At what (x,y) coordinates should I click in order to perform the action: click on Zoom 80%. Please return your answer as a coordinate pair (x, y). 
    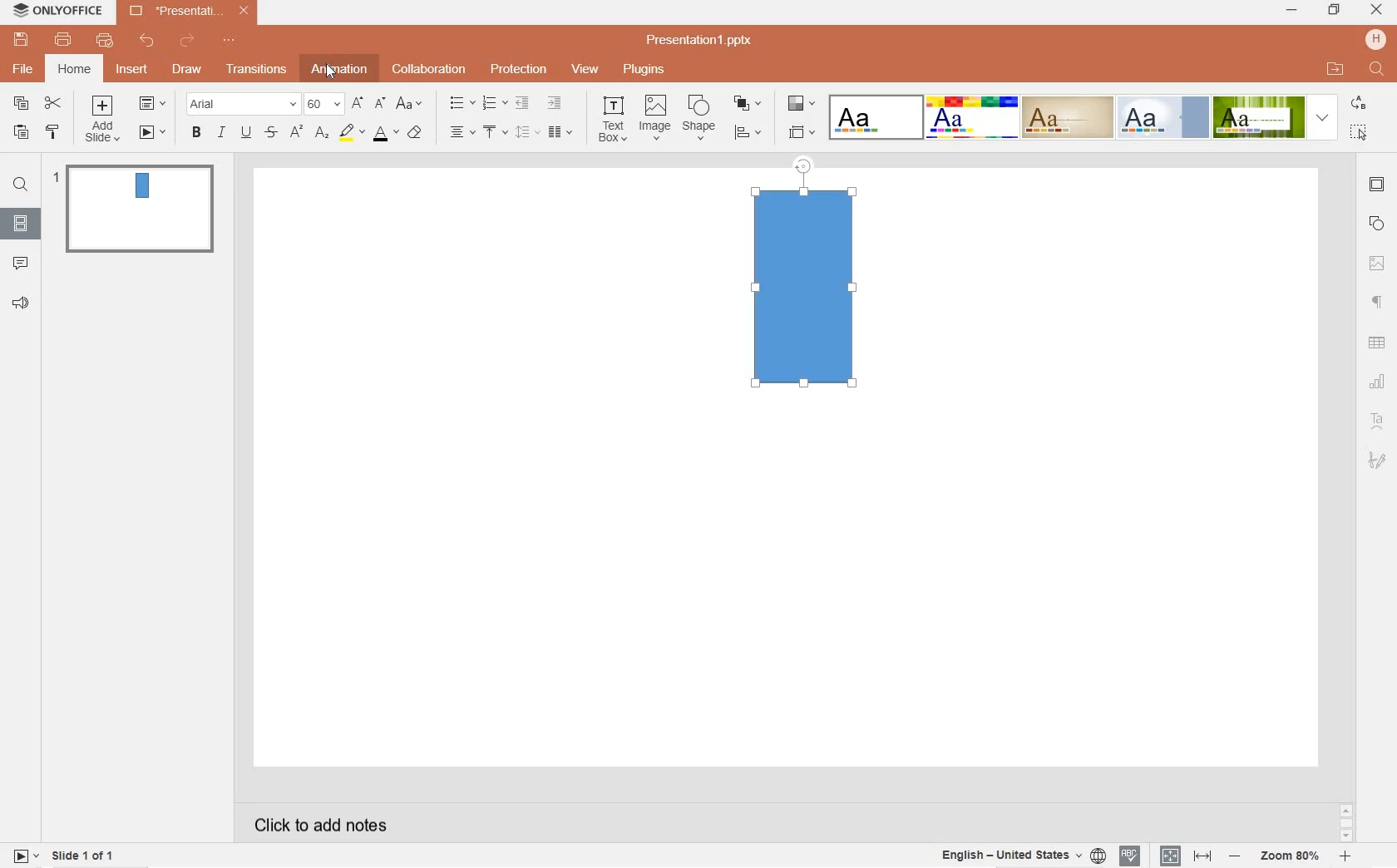
    Looking at the image, I should click on (1291, 857).